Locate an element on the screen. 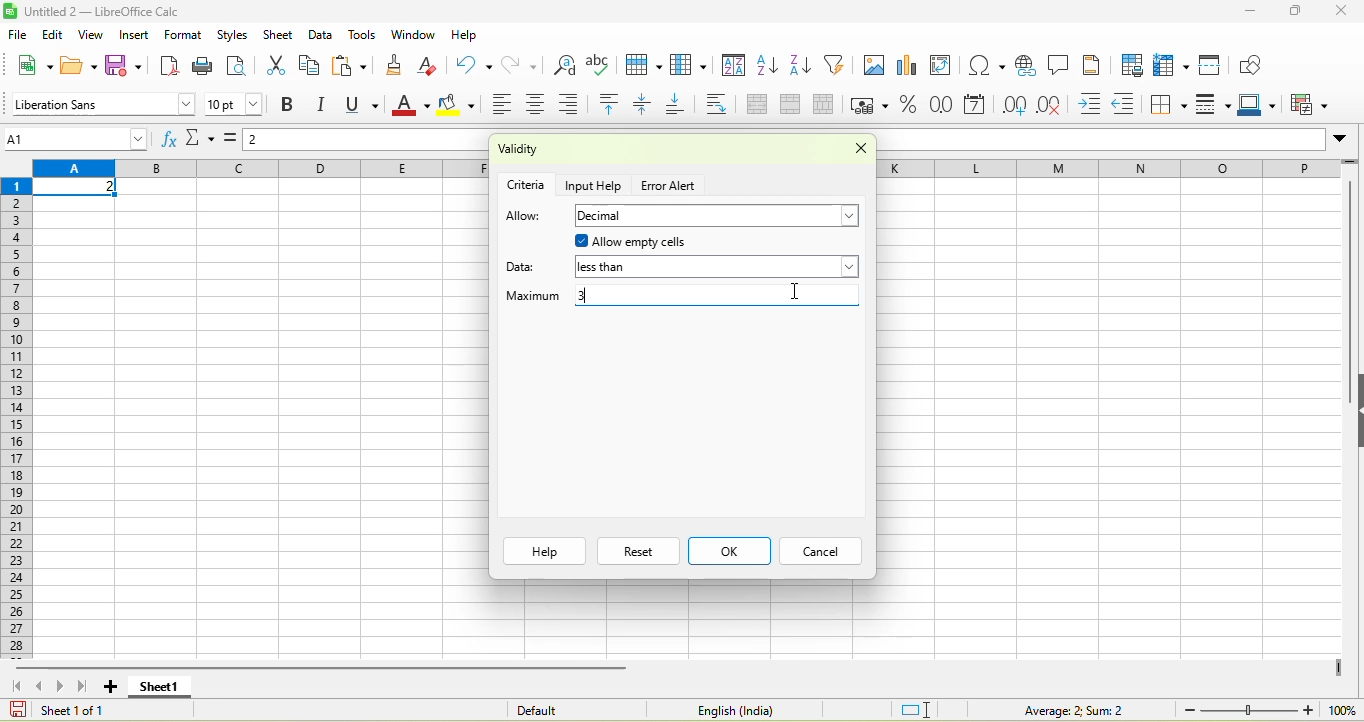 The image size is (1364, 722). column headings is located at coordinates (260, 169).